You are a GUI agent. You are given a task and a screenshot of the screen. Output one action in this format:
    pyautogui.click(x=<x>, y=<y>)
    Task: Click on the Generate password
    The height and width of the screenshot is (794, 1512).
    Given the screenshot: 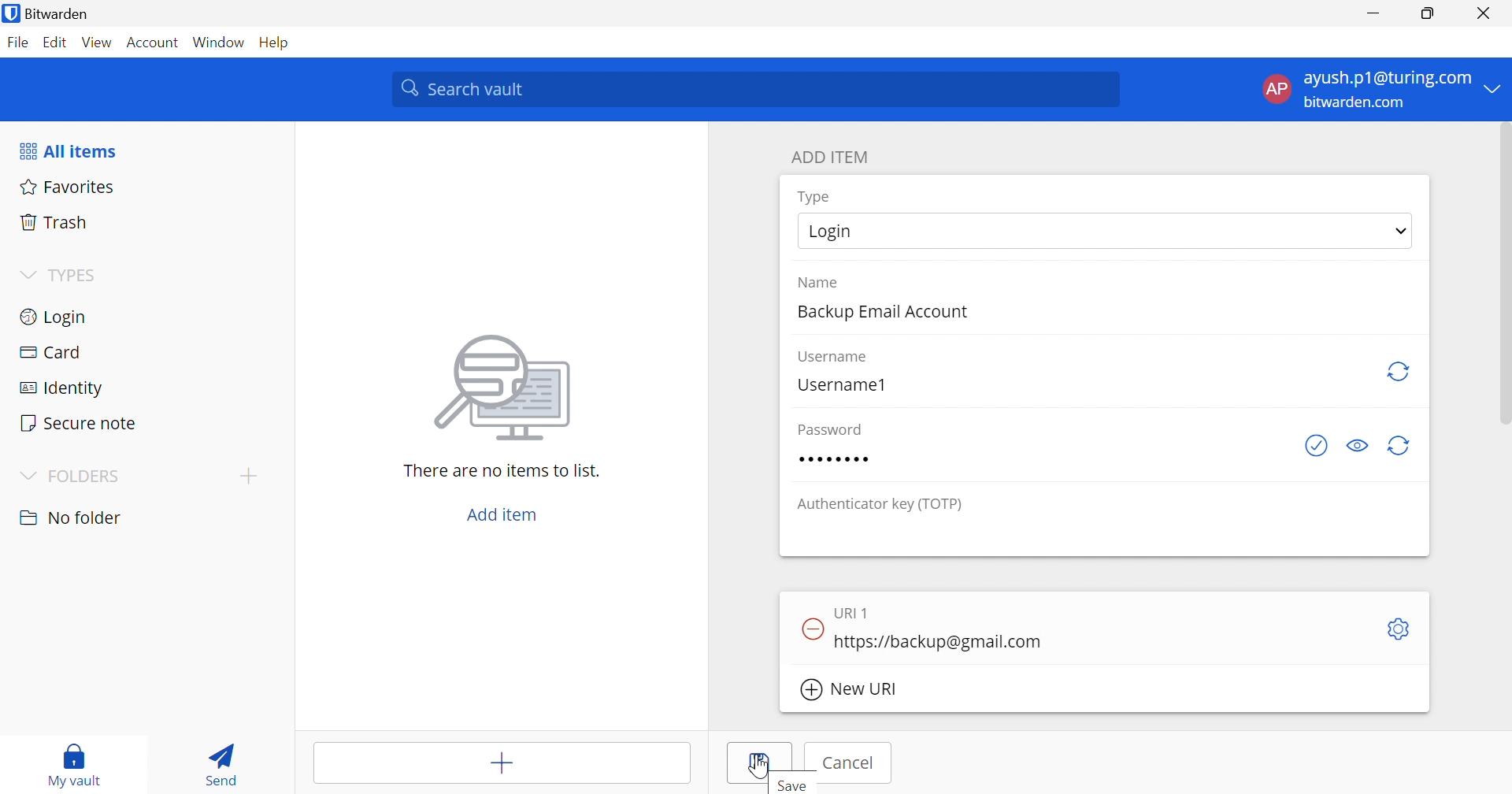 What is the action you would take?
    pyautogui.click(x=1399, y=371)
    